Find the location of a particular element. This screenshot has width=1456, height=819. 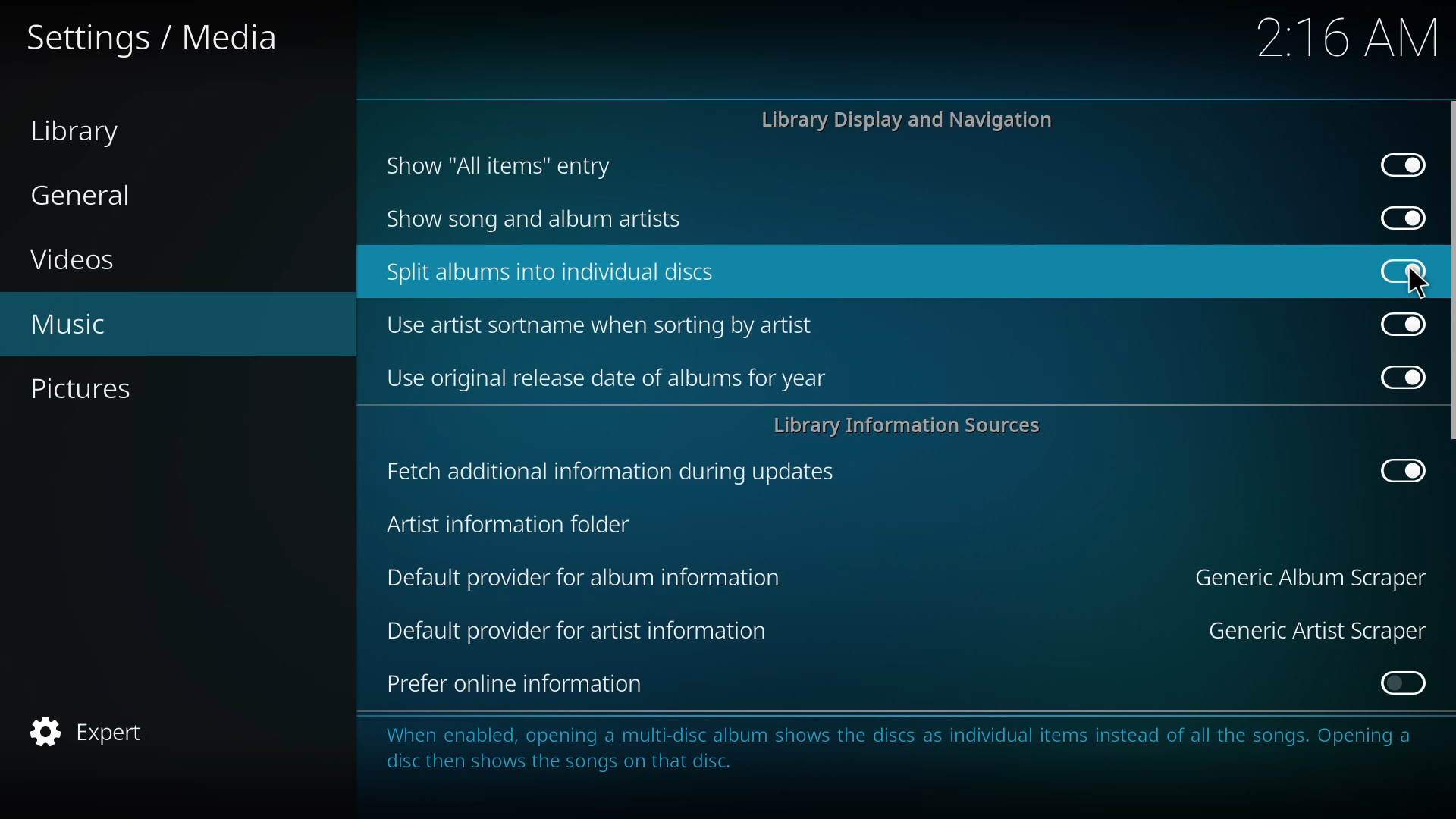

generic is located at coordinates (1307, 577).